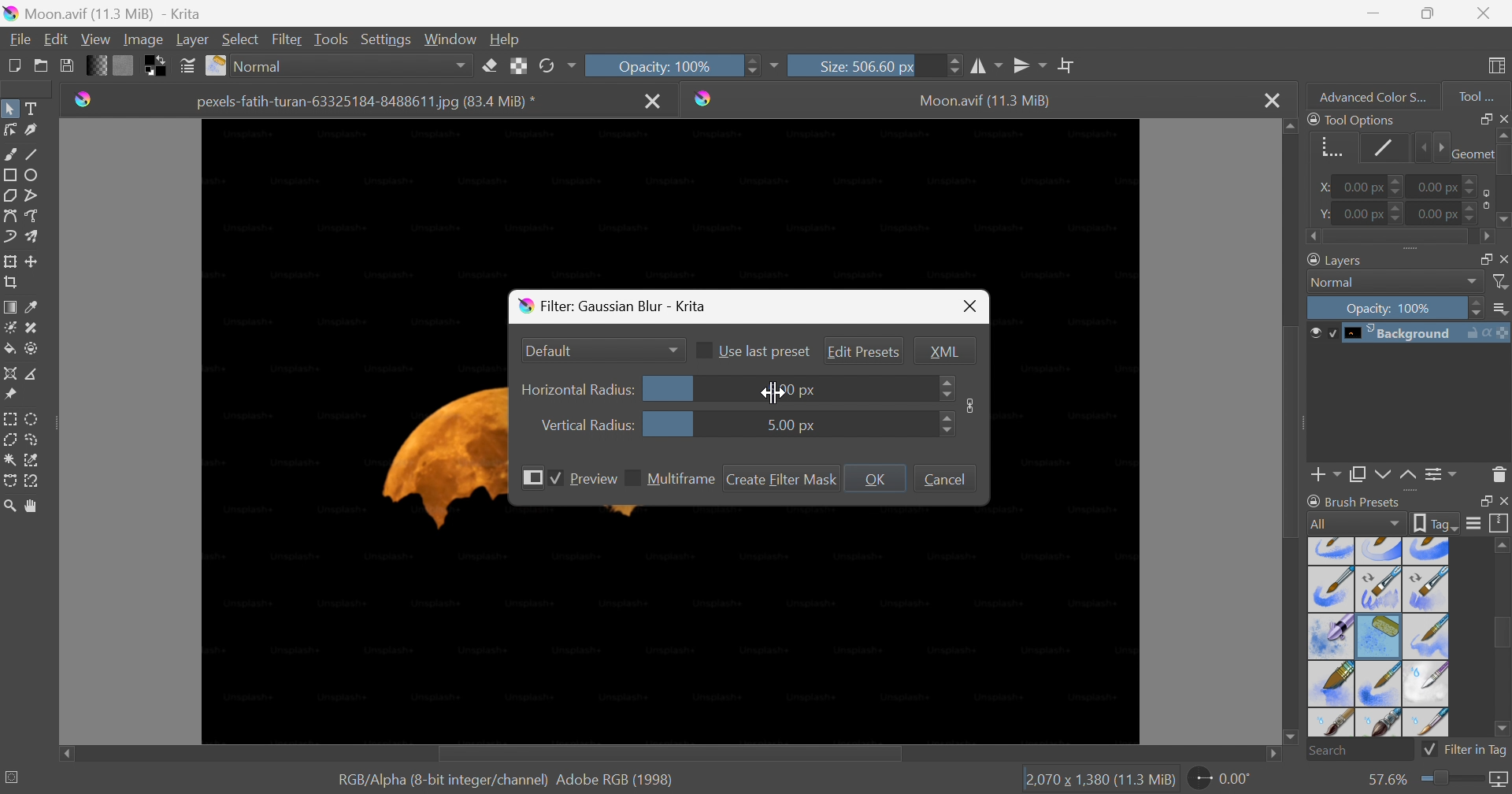 The image size is (1512, 794). I want to click on Similar color selection tool, so click(32, 461).